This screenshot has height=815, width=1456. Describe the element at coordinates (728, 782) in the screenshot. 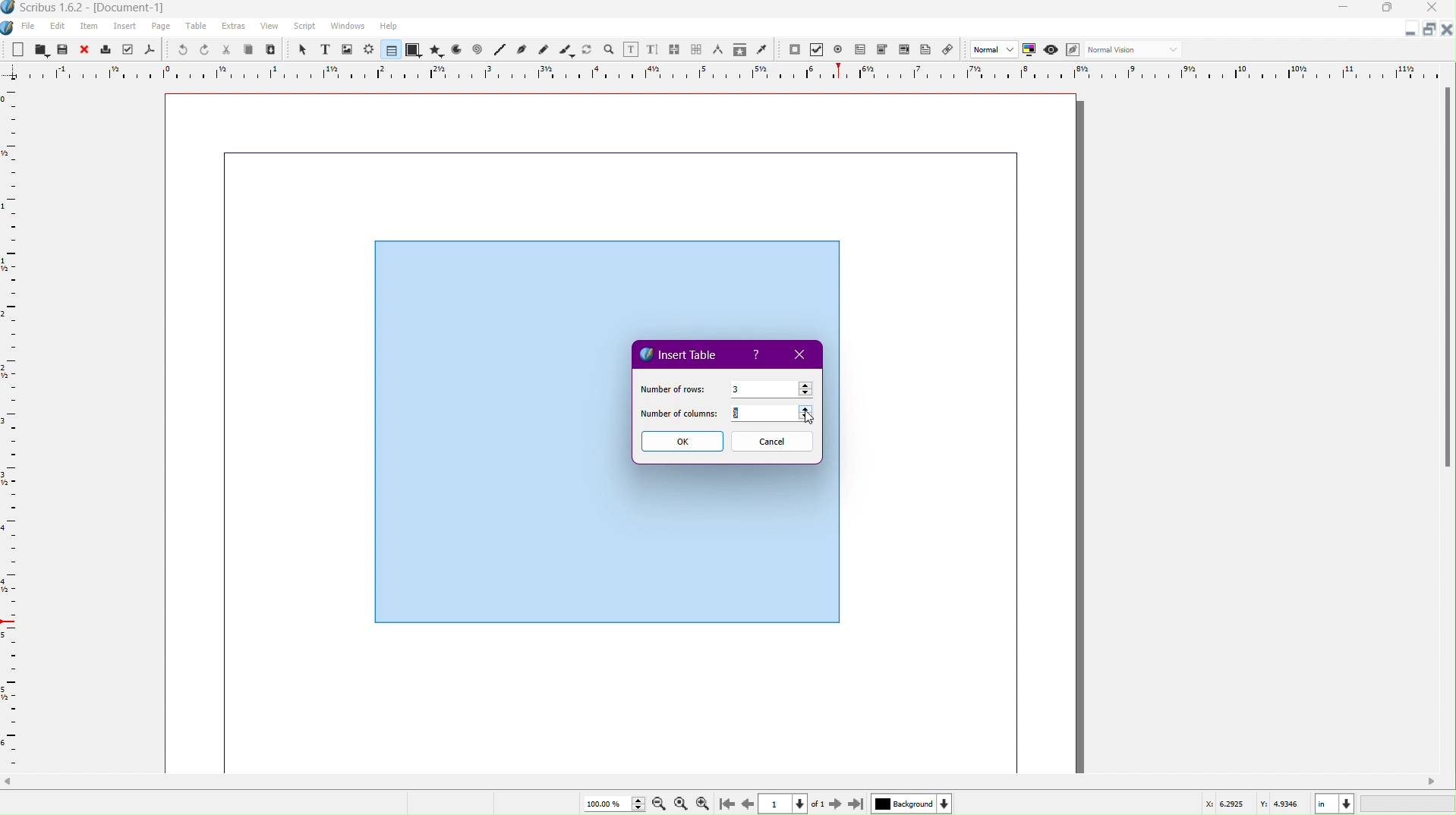

I see `Scrollbar` at that location.